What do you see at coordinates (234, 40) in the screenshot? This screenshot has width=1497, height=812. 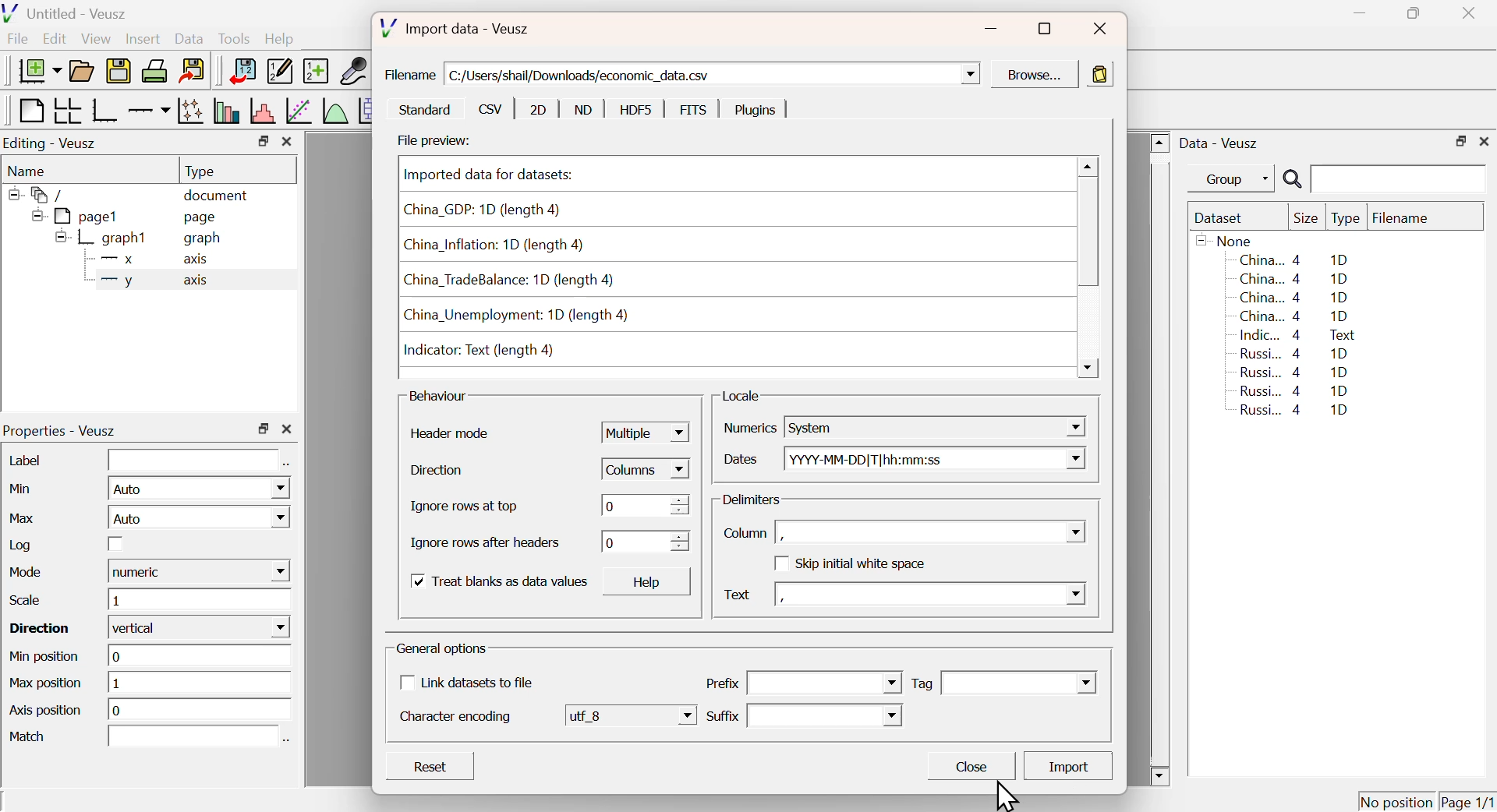 I see `Tools` at bounding box center [234, 40].